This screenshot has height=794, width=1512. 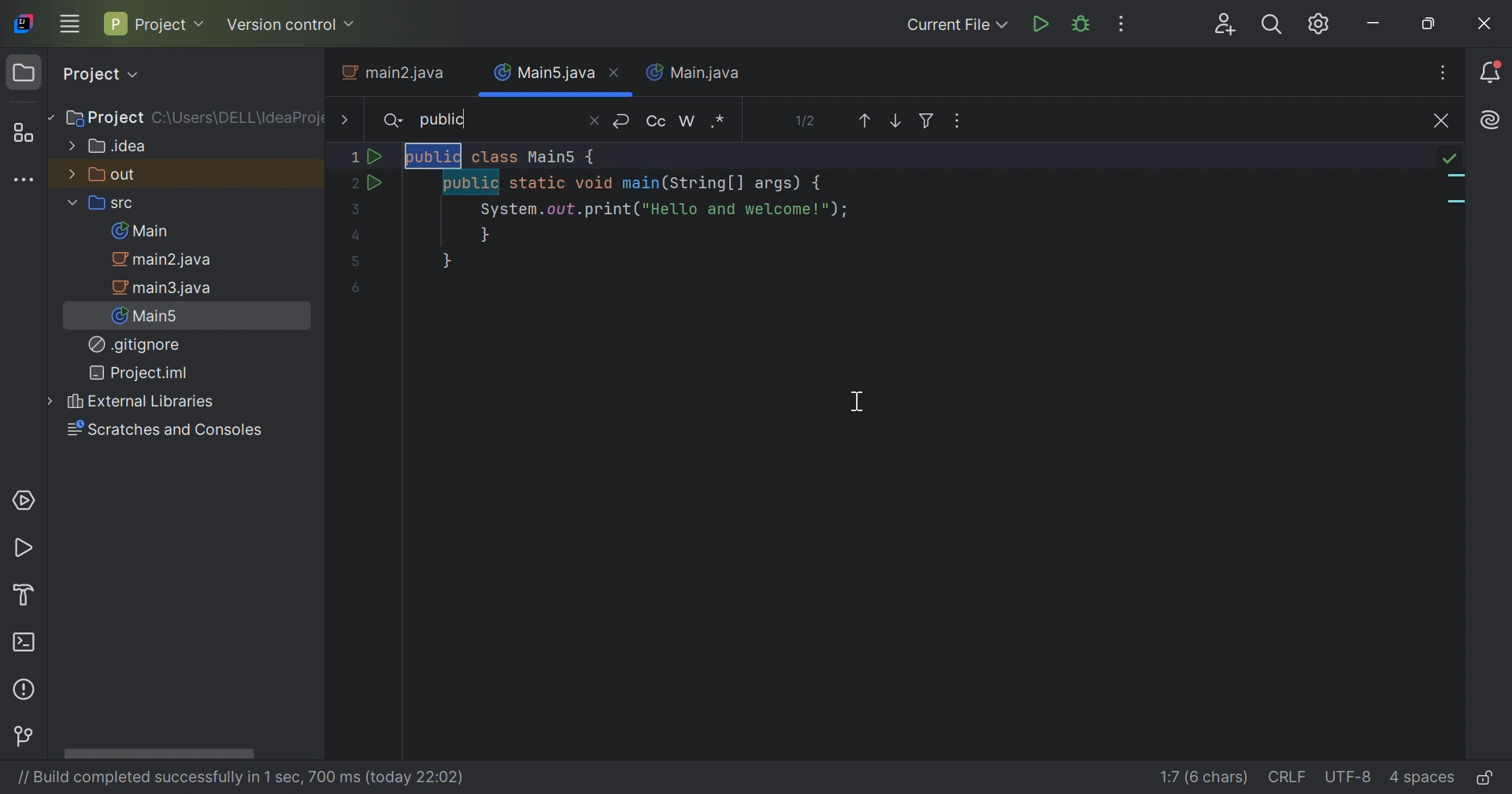 What do you see at coordinates (694, 72) in the screenshot?
I see `Main.java` at bounding box center [694, 72].